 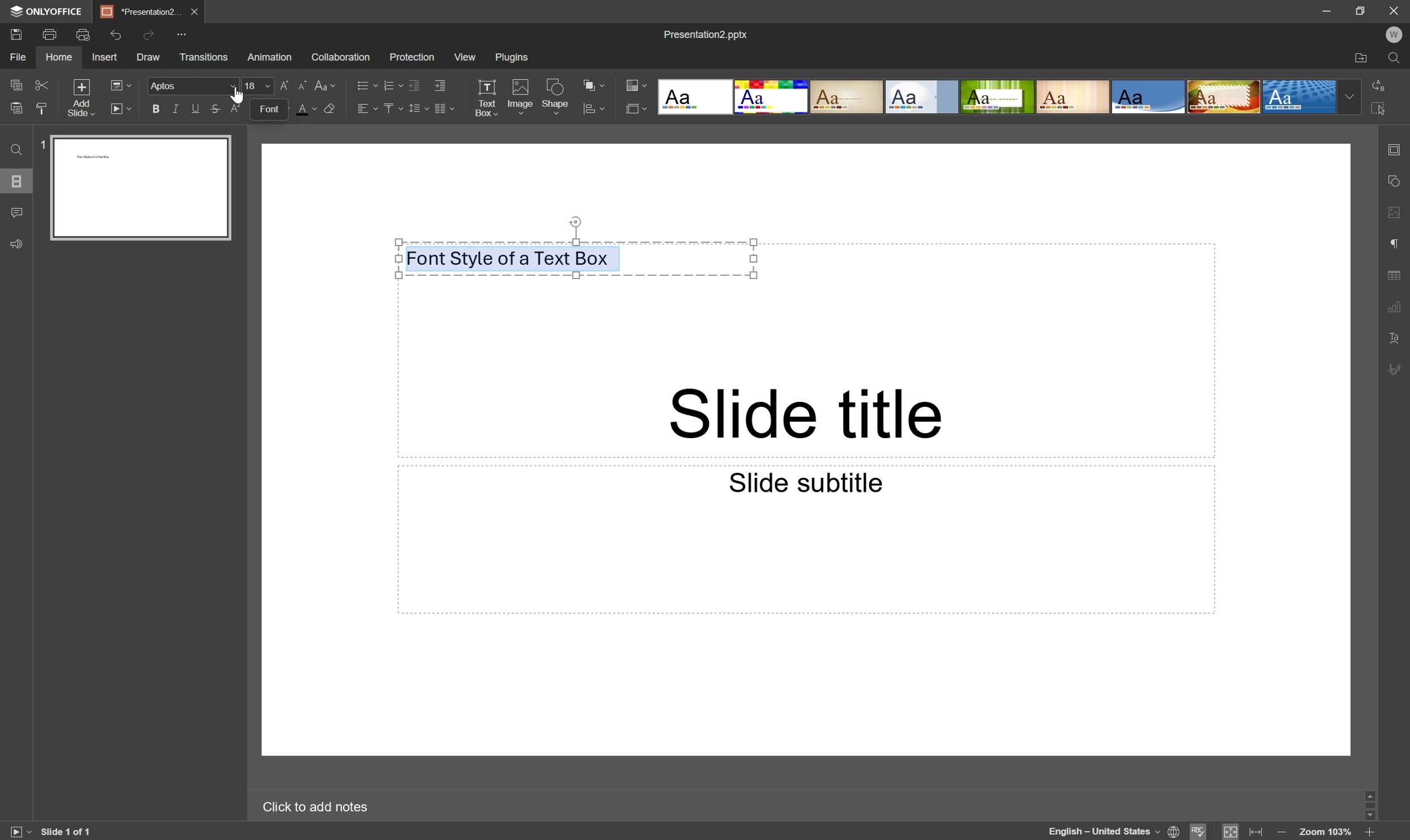 What do you see at coordinates (1097, 832) in the screenshot?
I see `English - United States` at bounding box center [1097, 832].